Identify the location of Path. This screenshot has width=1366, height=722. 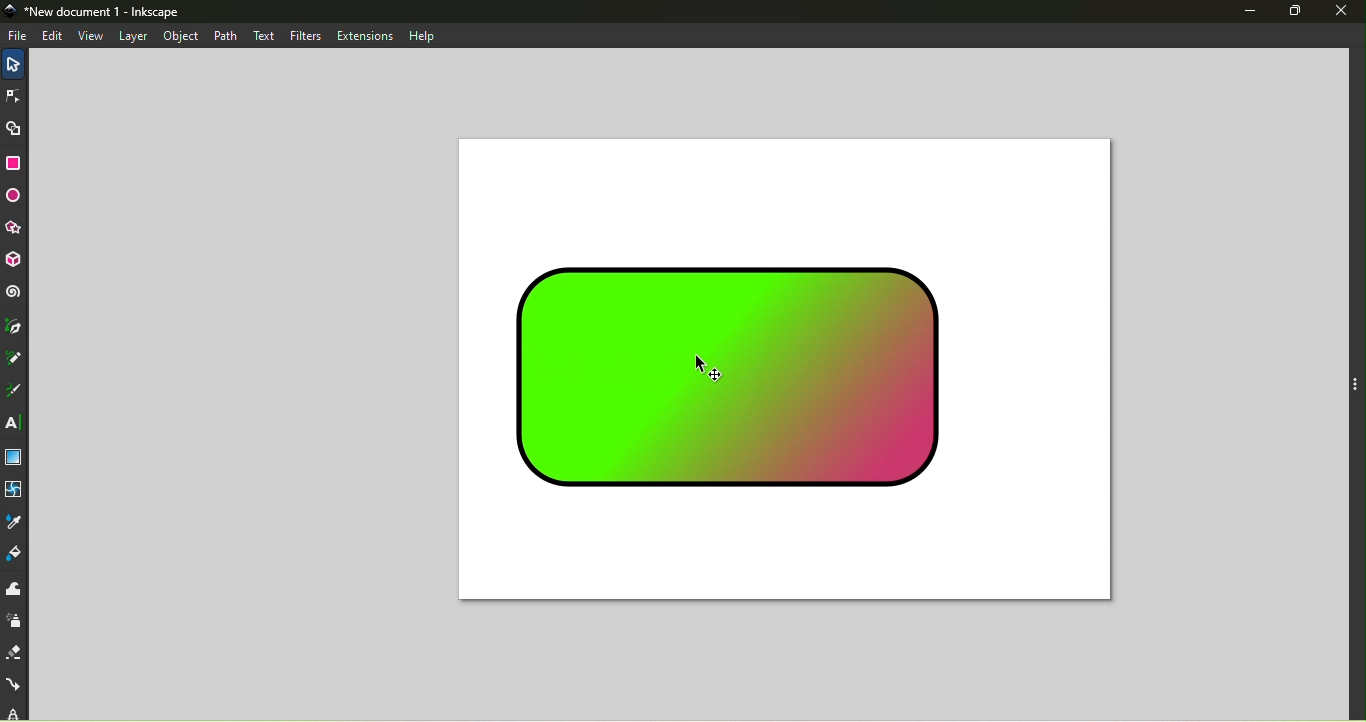
(230, 36).